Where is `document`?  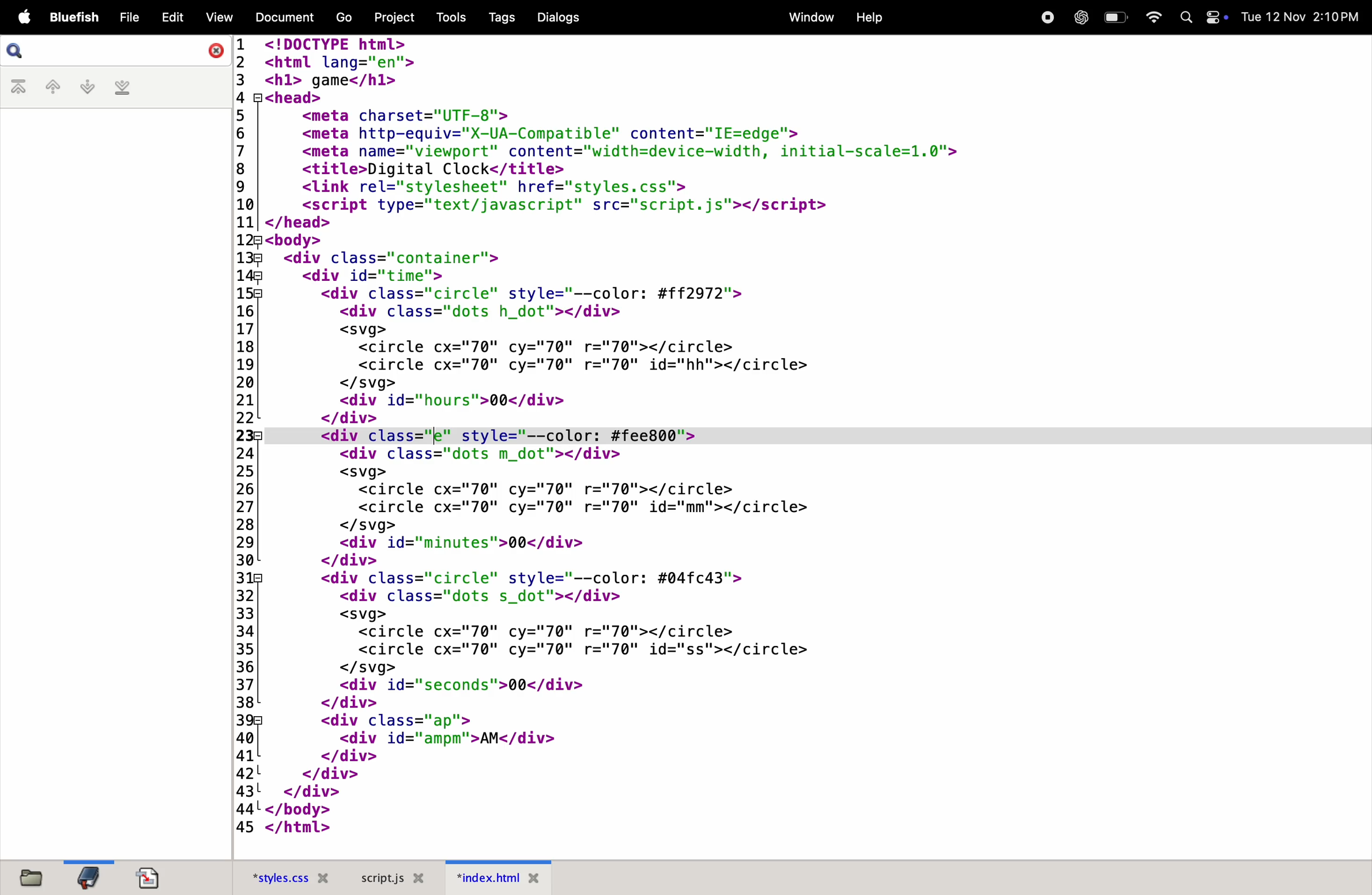
document is located at coordinates (288, 18).